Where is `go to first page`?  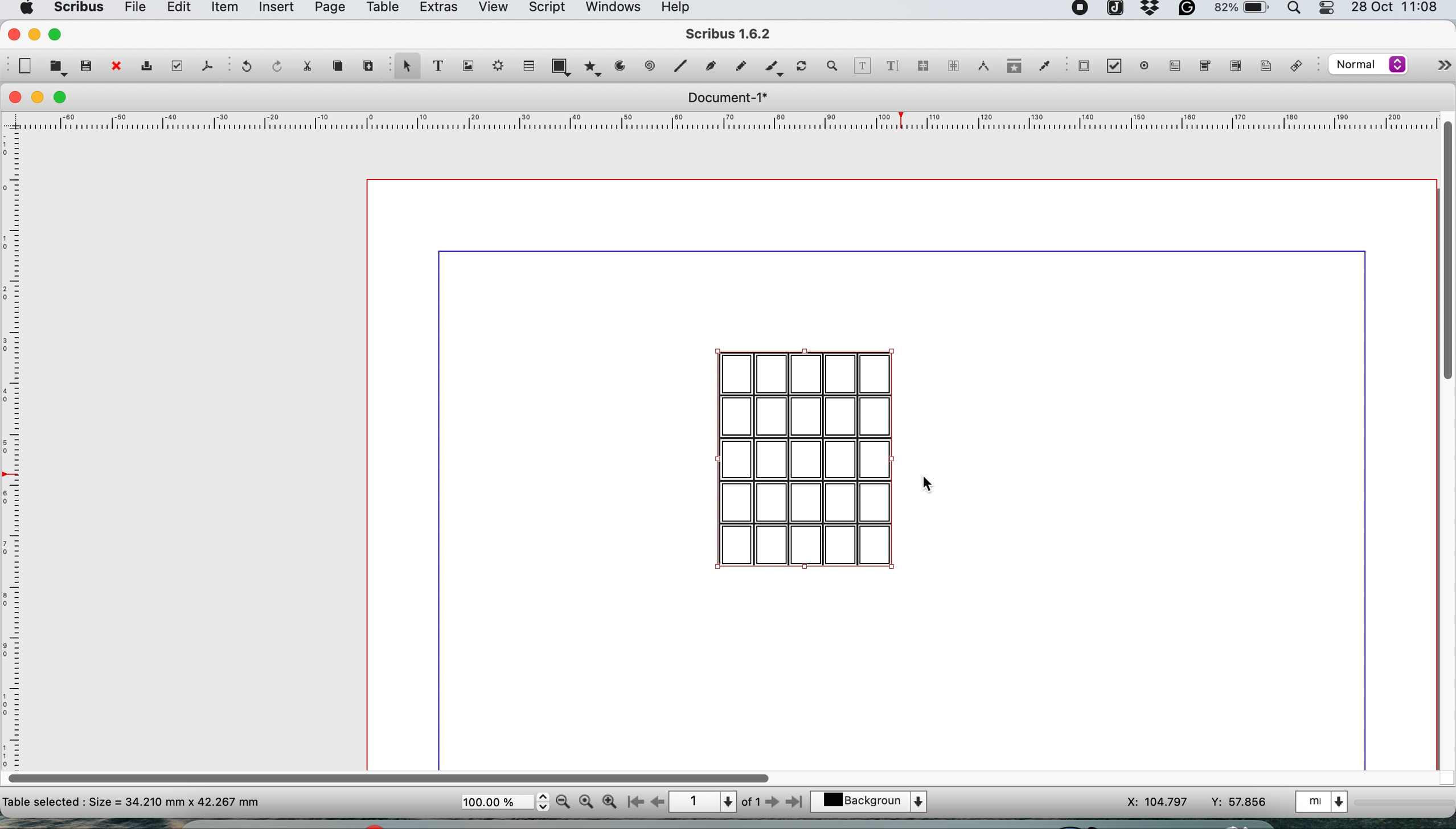 go to first page is located at coordinates (634, 803).